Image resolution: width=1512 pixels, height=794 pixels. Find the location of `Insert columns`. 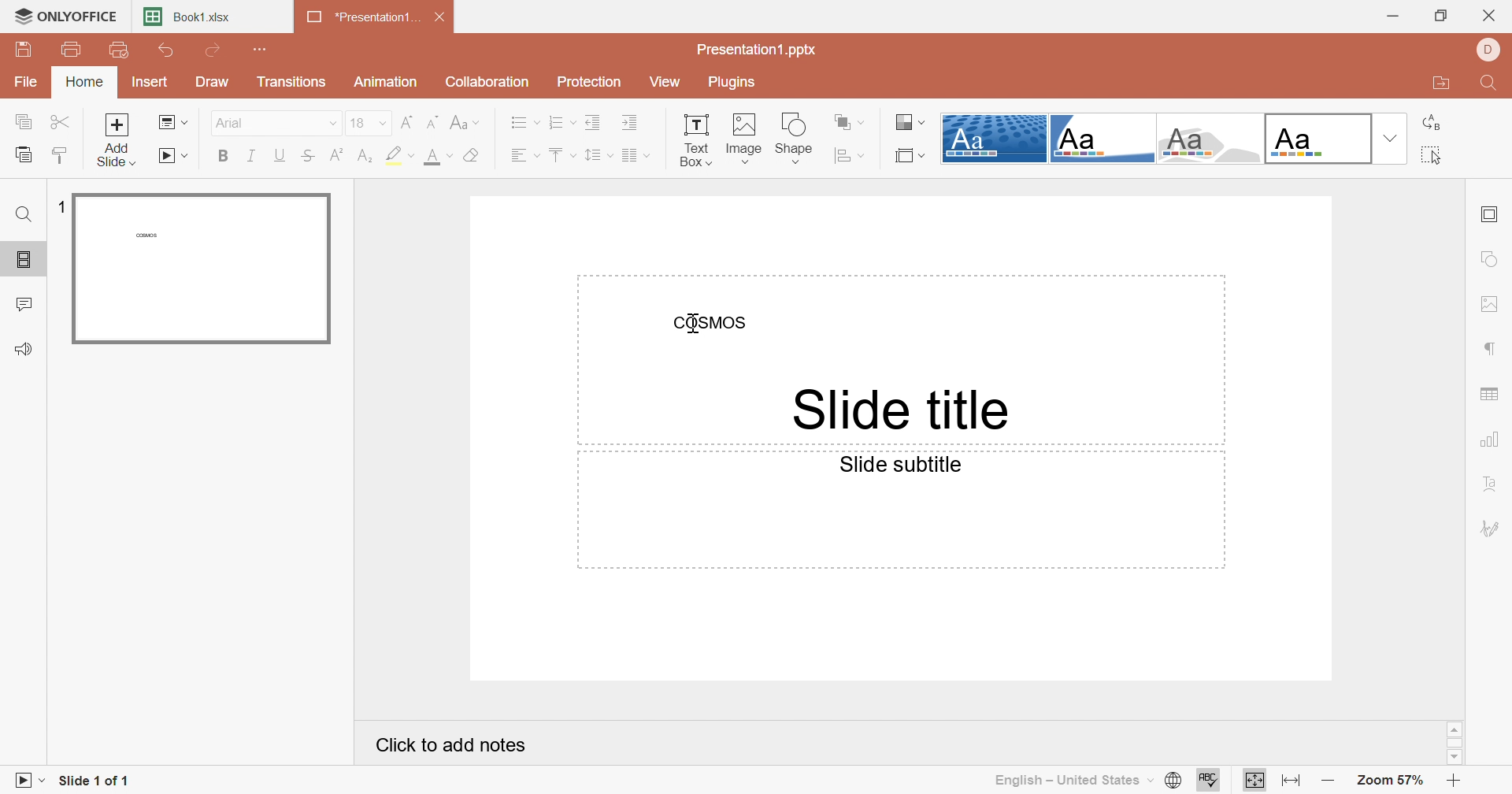

Insert columns is located at coordinates (634, 154).